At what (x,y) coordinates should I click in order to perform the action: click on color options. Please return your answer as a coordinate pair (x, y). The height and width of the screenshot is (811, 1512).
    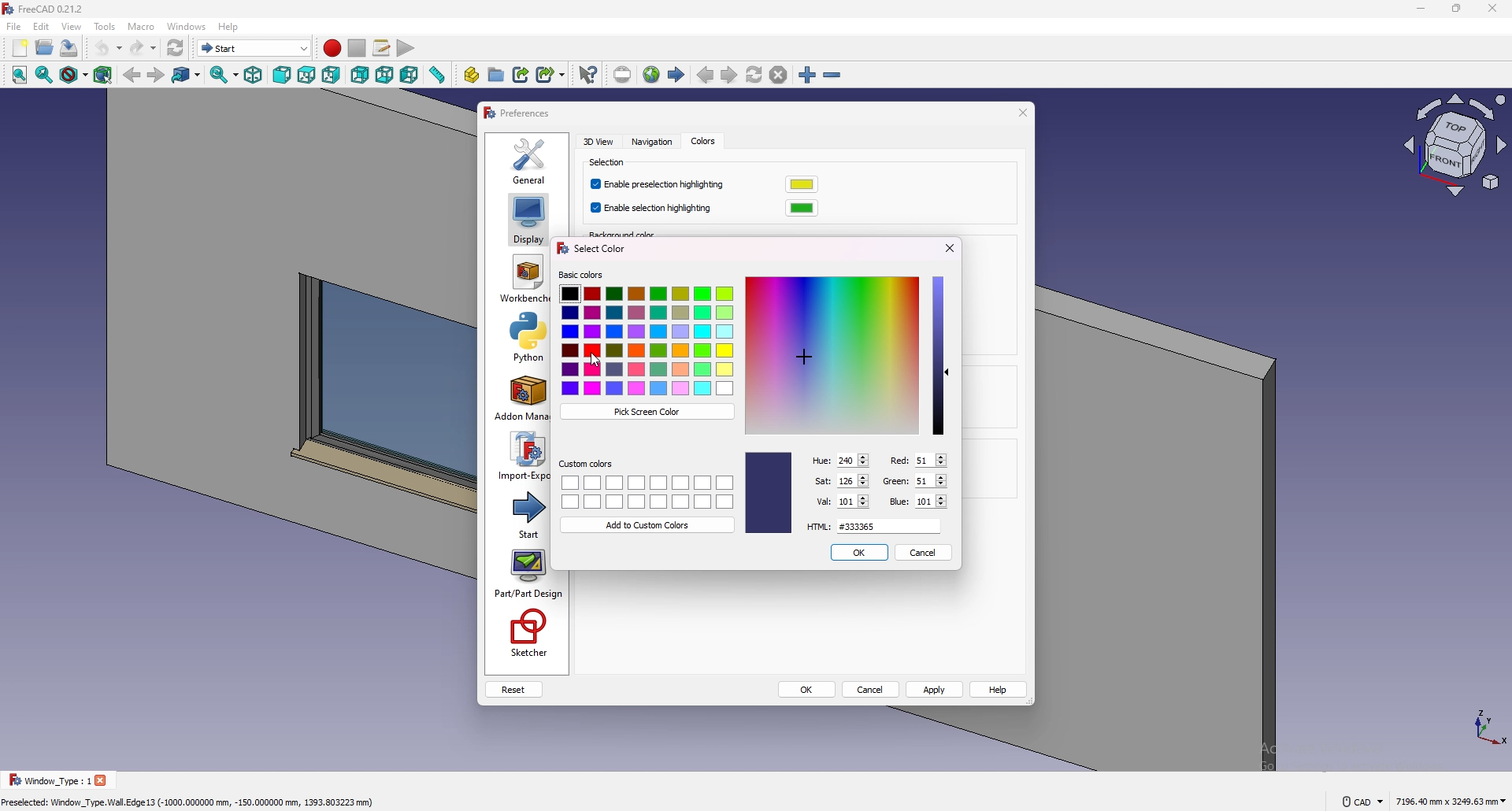
    Looking at the image, I should click on (647, 341).